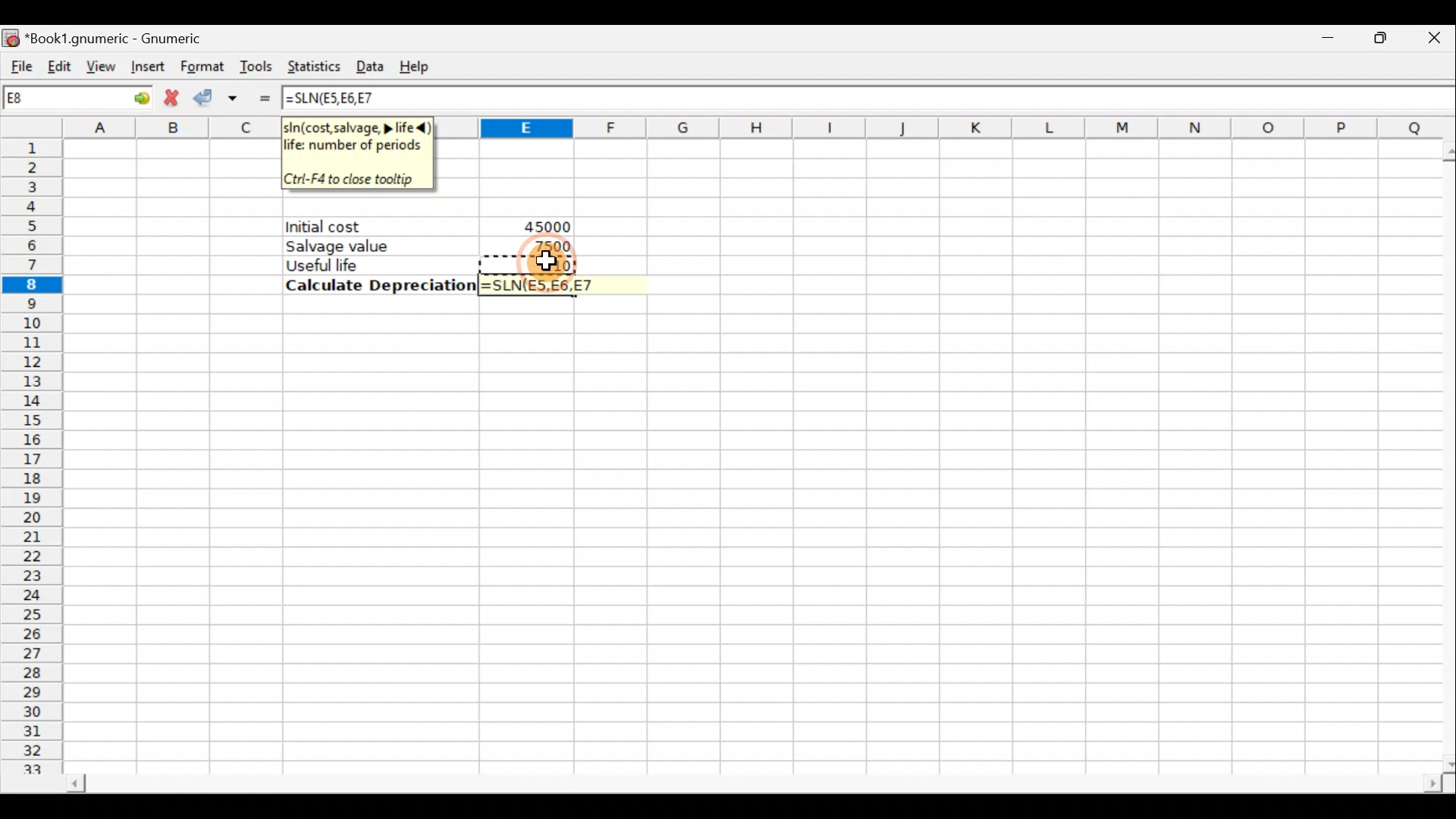 Image resolution: width=1456 pixels, height=819 pixels. Describe the element at coordinates (547, 264) in the screenshot. I see `Cursor on cell E7` at that location.